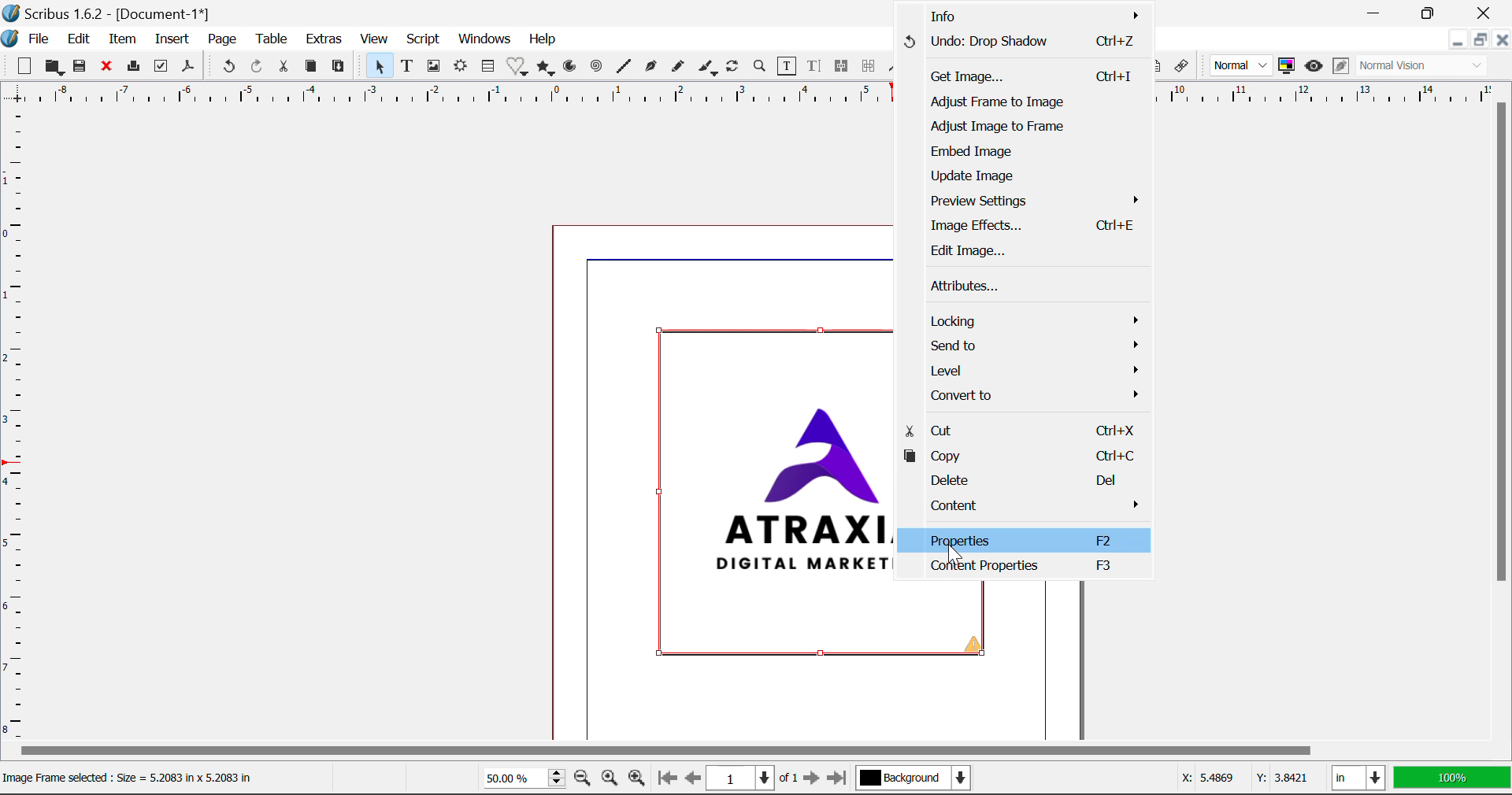 The image size is (1512, 795). I want to click on X: 5.4869, so click(1206, 777).